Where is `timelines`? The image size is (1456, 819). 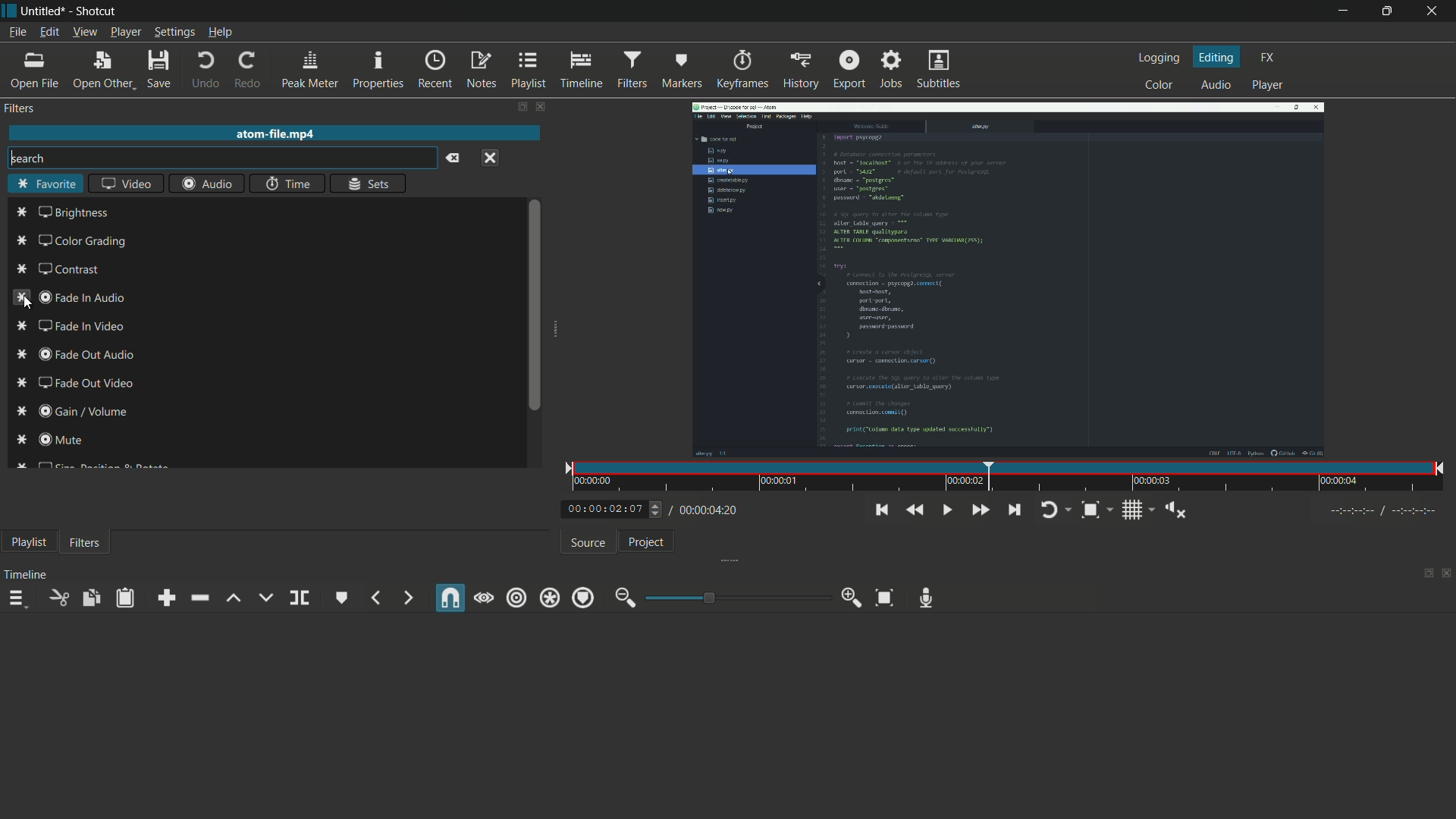
timelines is located at coordinates (581, 71).